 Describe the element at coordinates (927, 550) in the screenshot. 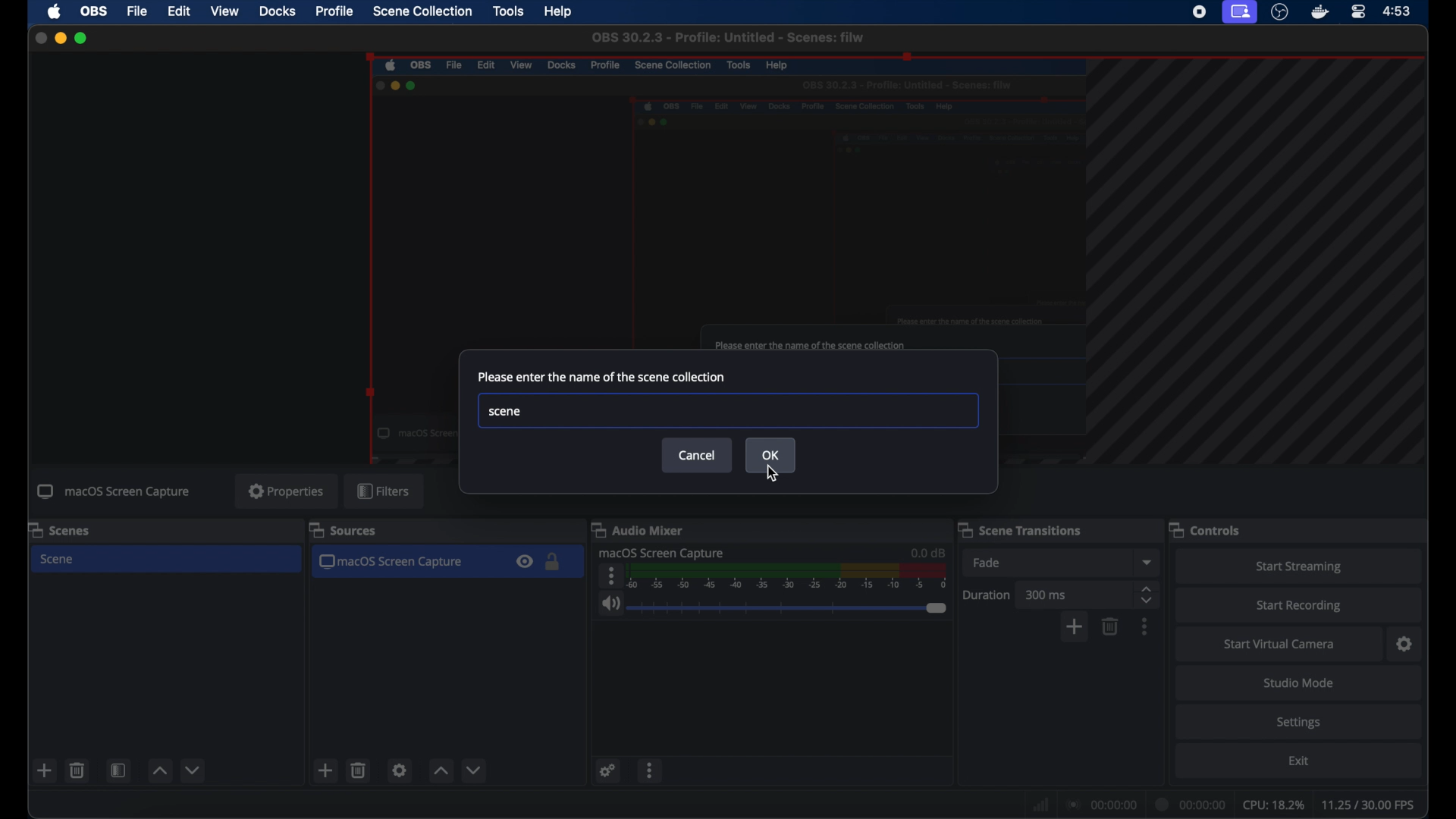

I see `0.00 db` at that location.